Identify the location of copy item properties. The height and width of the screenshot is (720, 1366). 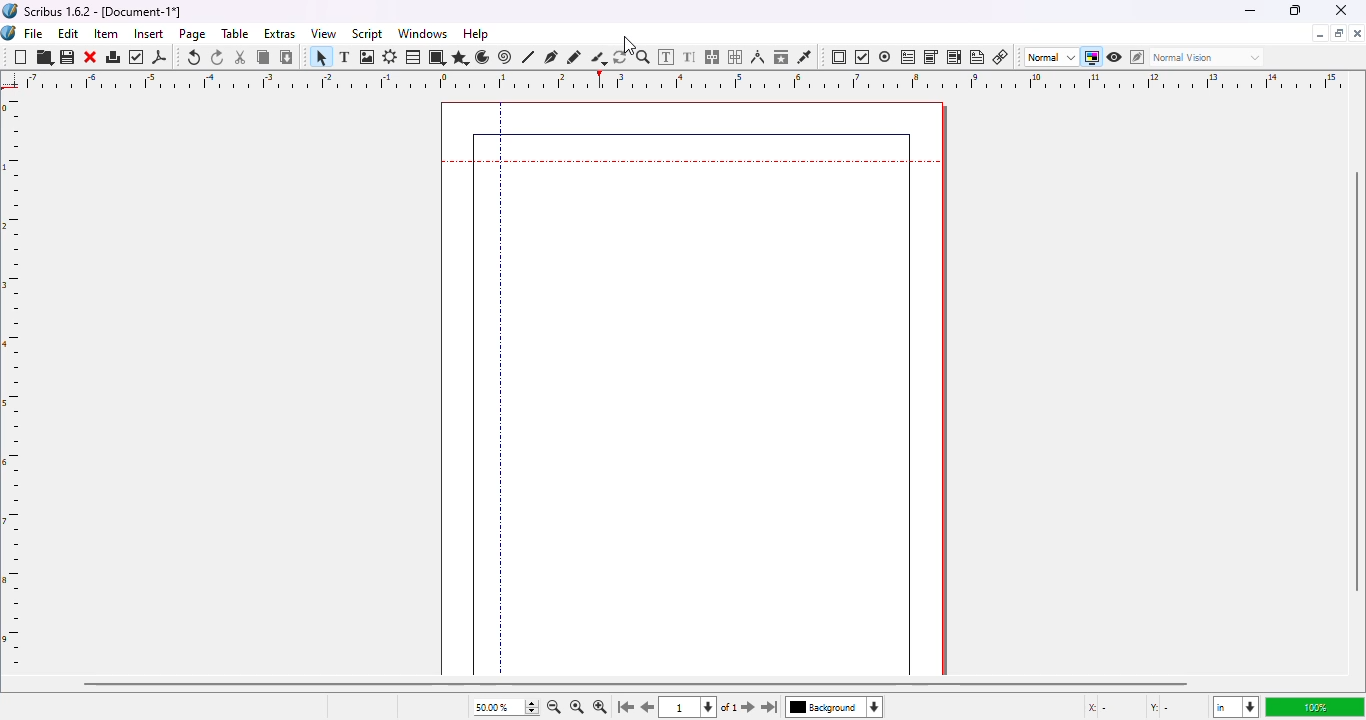
(781, 56).